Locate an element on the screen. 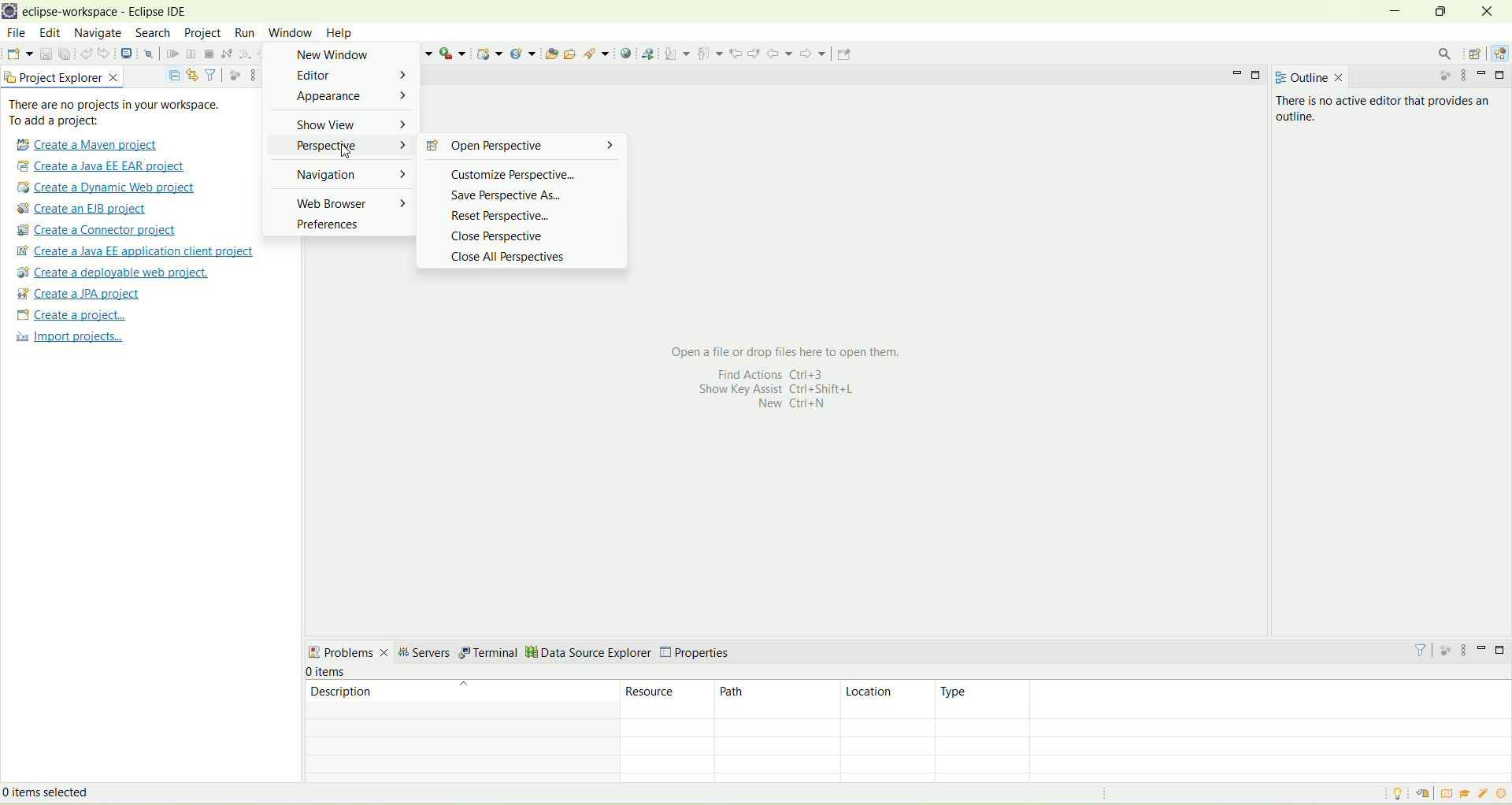  preferences is located at coordinates (325, 226).